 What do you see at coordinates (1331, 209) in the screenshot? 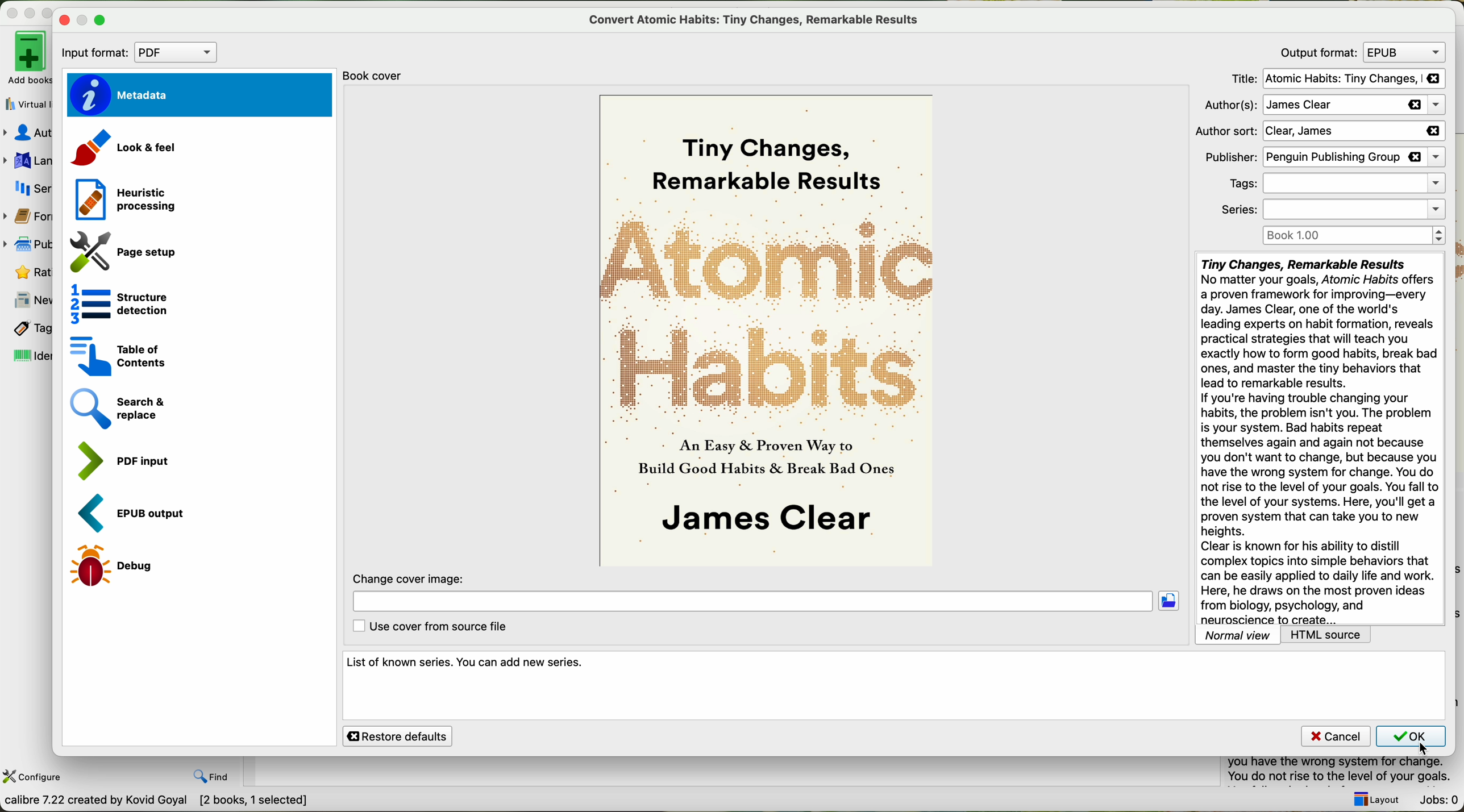
I see `series` at bounding box center [1331, 209].